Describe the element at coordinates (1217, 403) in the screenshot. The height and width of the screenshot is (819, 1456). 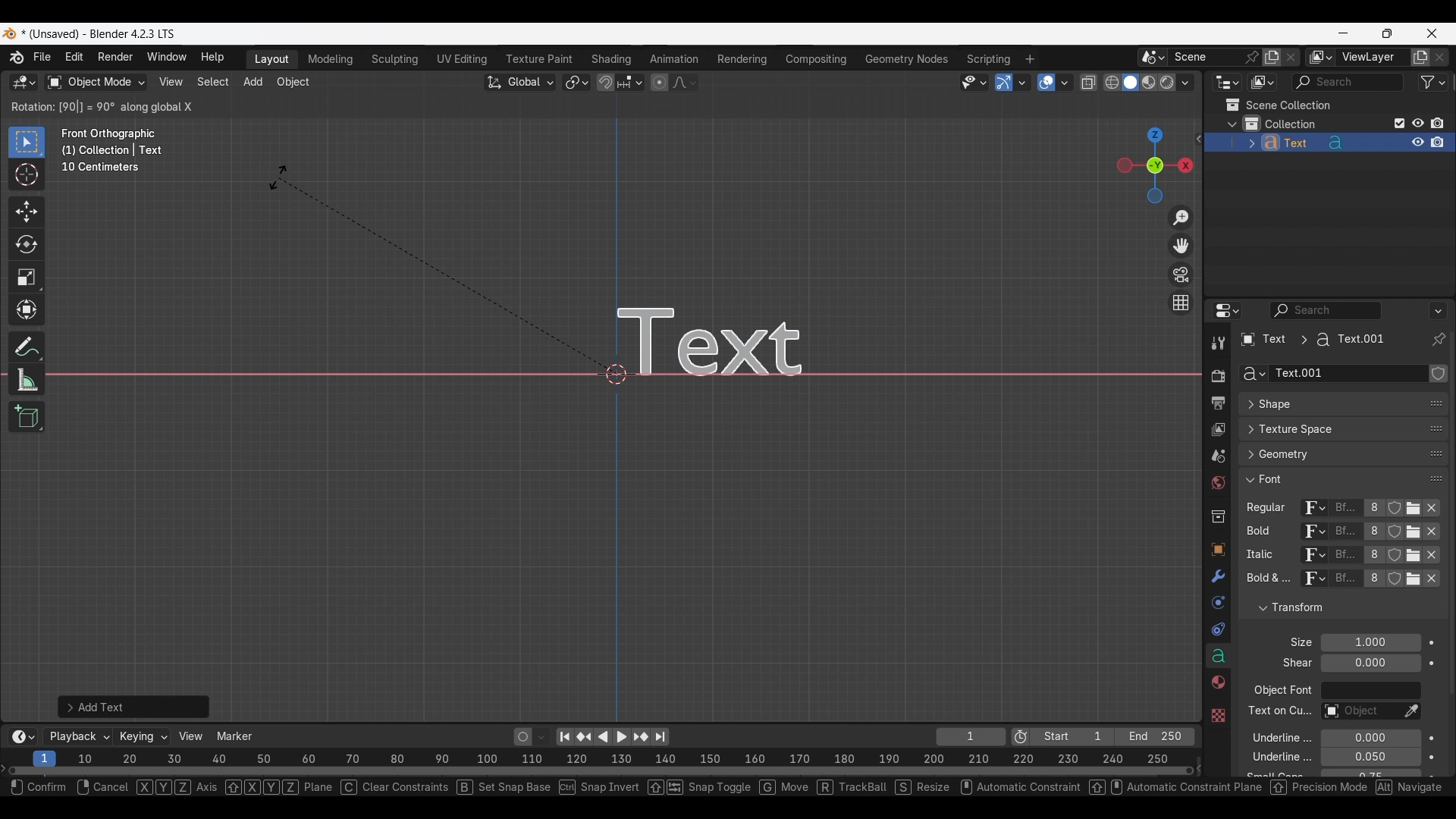
I see `Output` at that location.